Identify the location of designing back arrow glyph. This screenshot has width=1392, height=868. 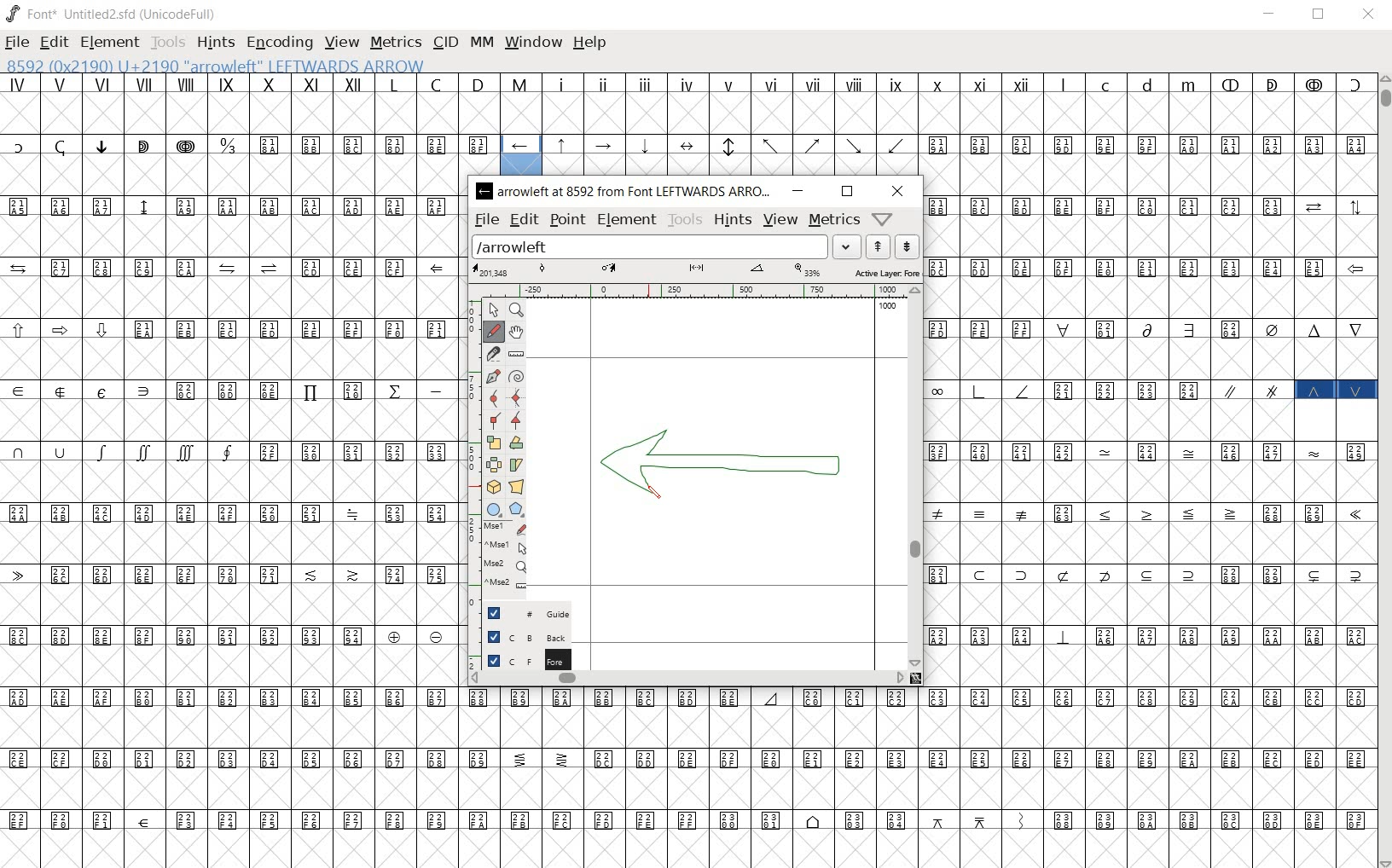
(725, 463).